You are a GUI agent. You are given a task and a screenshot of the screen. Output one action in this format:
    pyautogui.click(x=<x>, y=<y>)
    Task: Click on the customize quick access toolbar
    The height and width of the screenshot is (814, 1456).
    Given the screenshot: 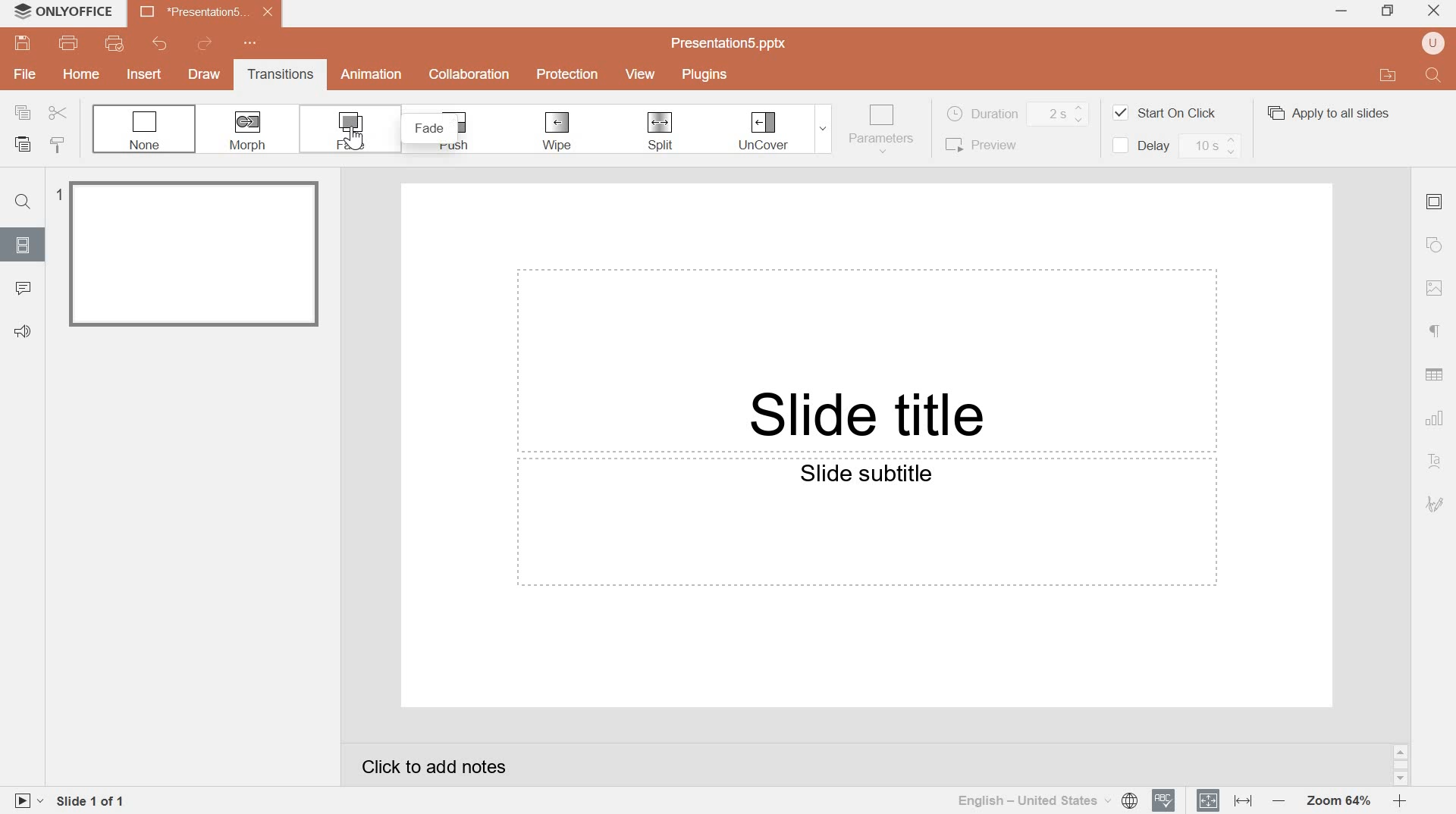 What is the action you would take?
    pyautogui.click(x=253, y=42)
    